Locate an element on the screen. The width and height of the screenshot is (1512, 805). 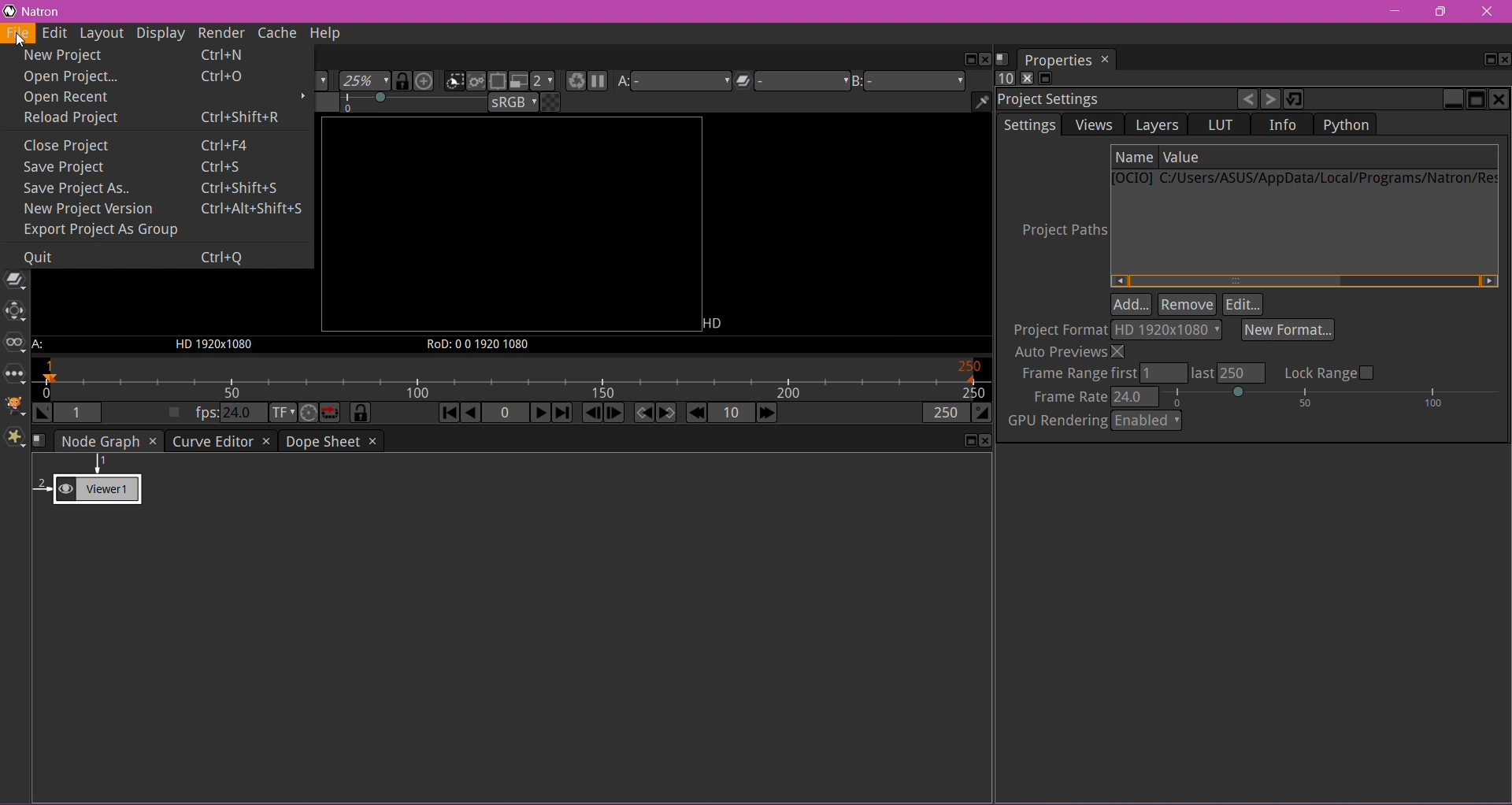
Value is located at coordinates (1182, 158).